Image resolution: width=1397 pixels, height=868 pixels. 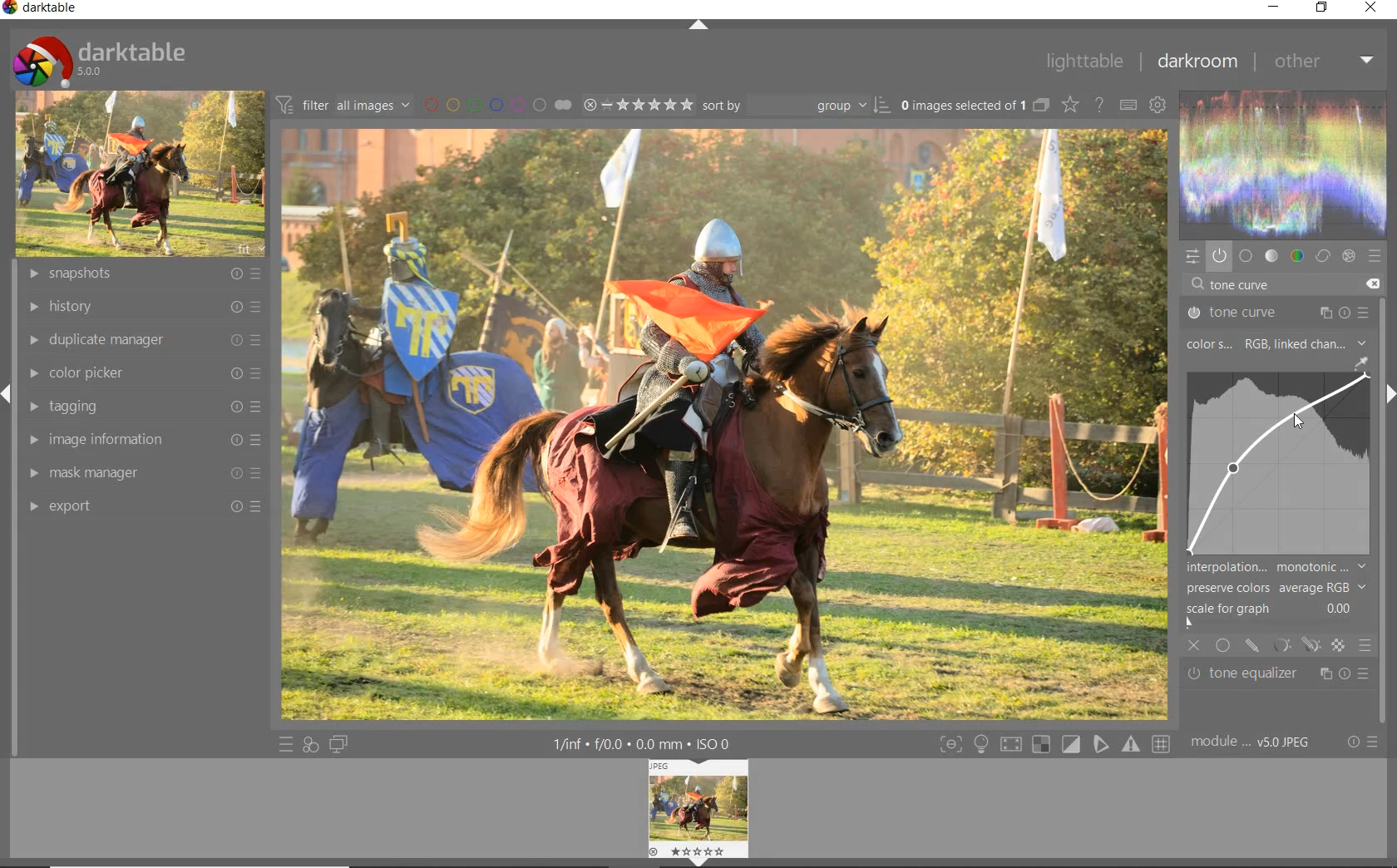 What do you see at coordinates (1255, 742) in the screenshot?
I see `module... v5.0 JPEG` at bounding box center [1255, 742].